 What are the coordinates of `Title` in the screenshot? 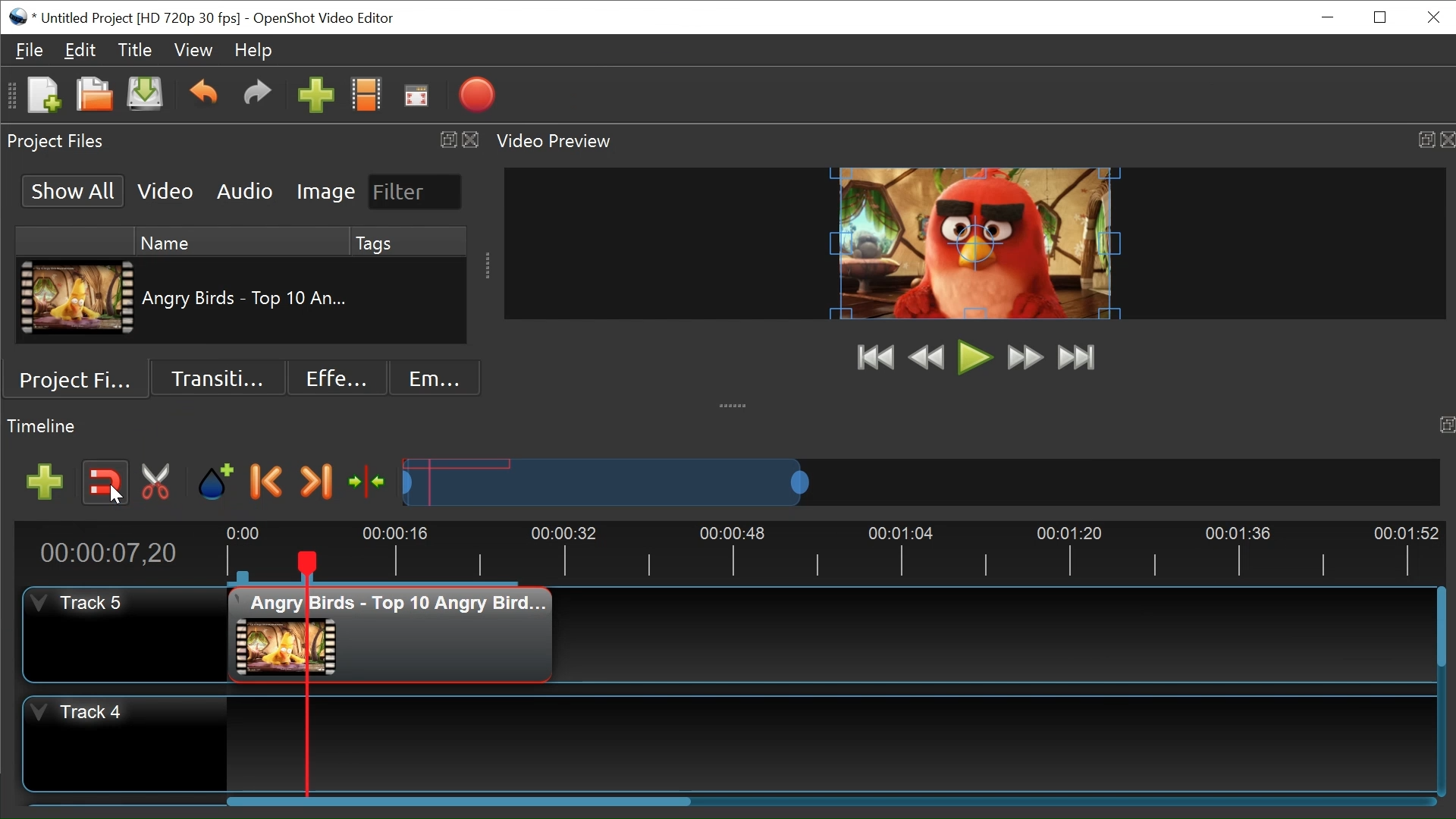 It's located at (134, 51).